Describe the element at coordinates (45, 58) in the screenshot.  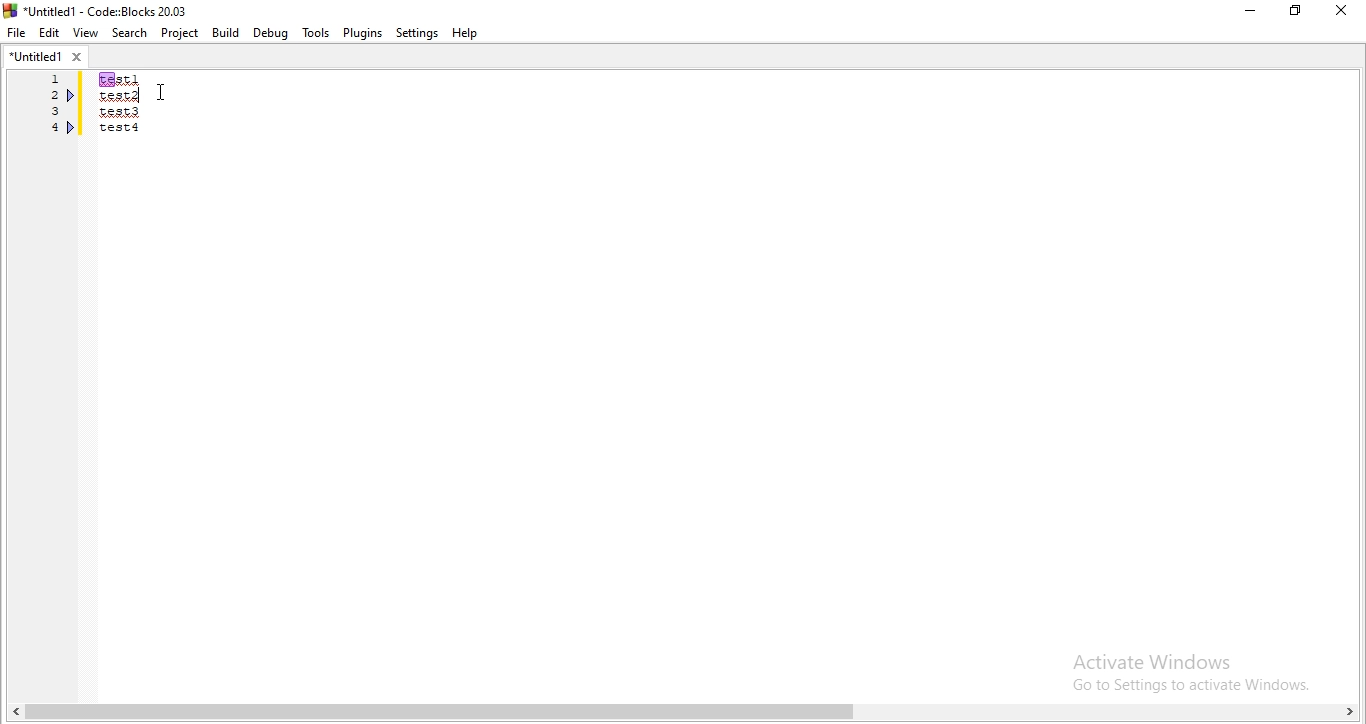
I see `untitled tab` at that location.